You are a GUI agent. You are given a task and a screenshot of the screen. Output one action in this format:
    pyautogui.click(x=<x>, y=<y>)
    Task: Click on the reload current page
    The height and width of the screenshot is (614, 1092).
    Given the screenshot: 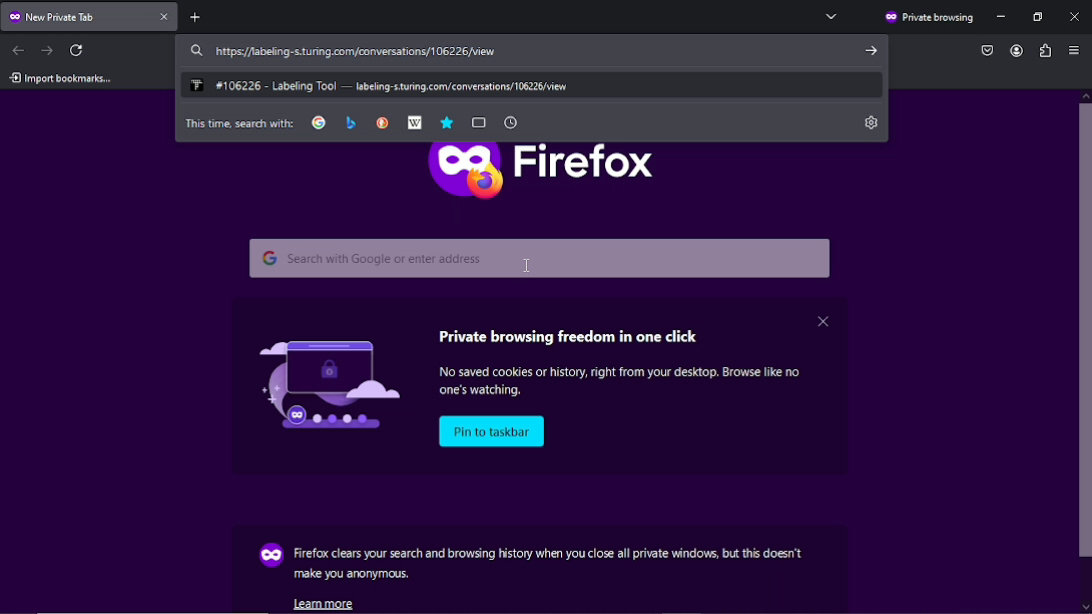 What is the action you would take?
    pyautogui.click(x=79, y=50)
    